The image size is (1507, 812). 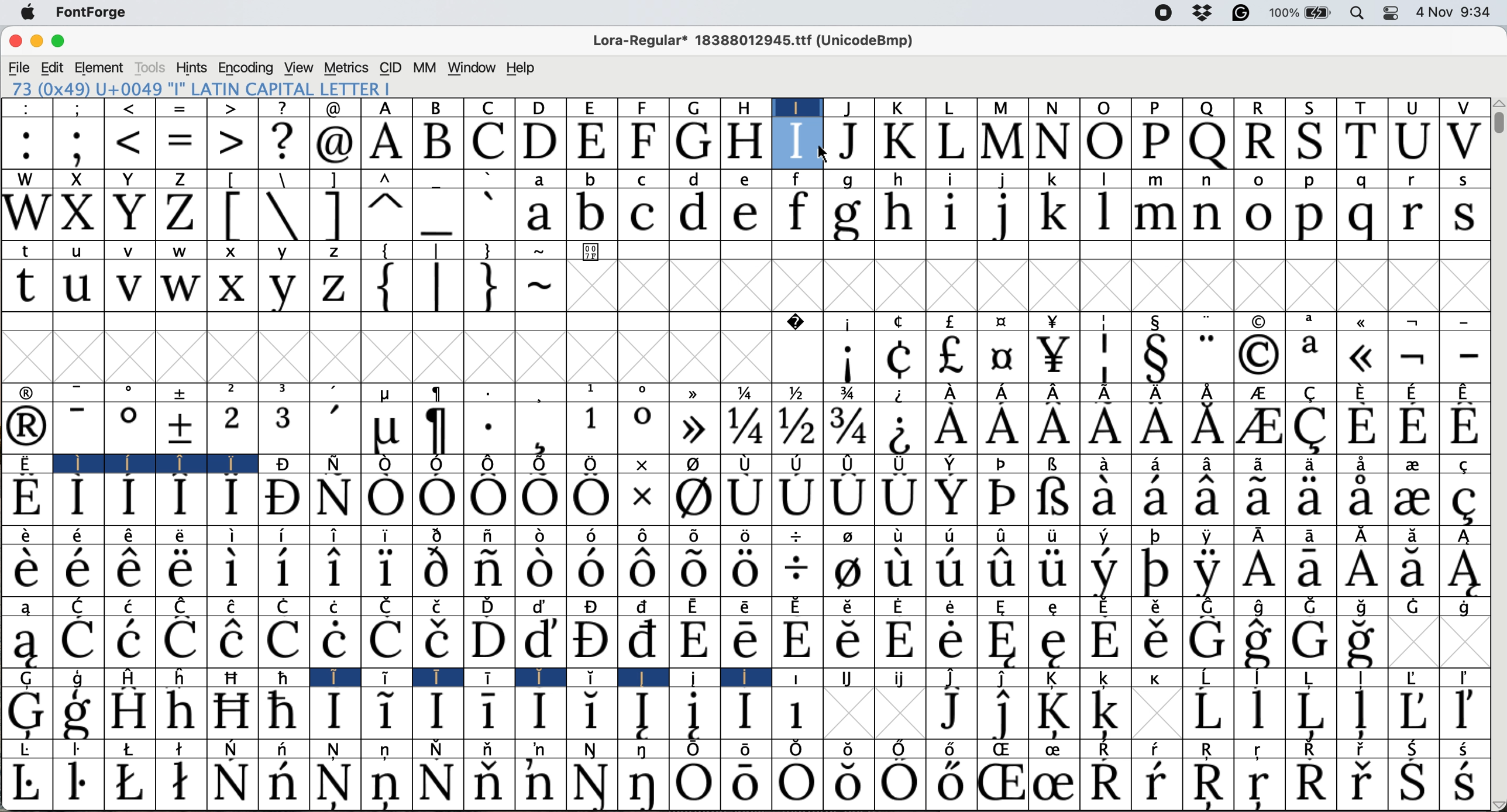 What do you see at coordinates (1156, 215) in the screenshot?
I see `m` at bounding box center [1156, 215].